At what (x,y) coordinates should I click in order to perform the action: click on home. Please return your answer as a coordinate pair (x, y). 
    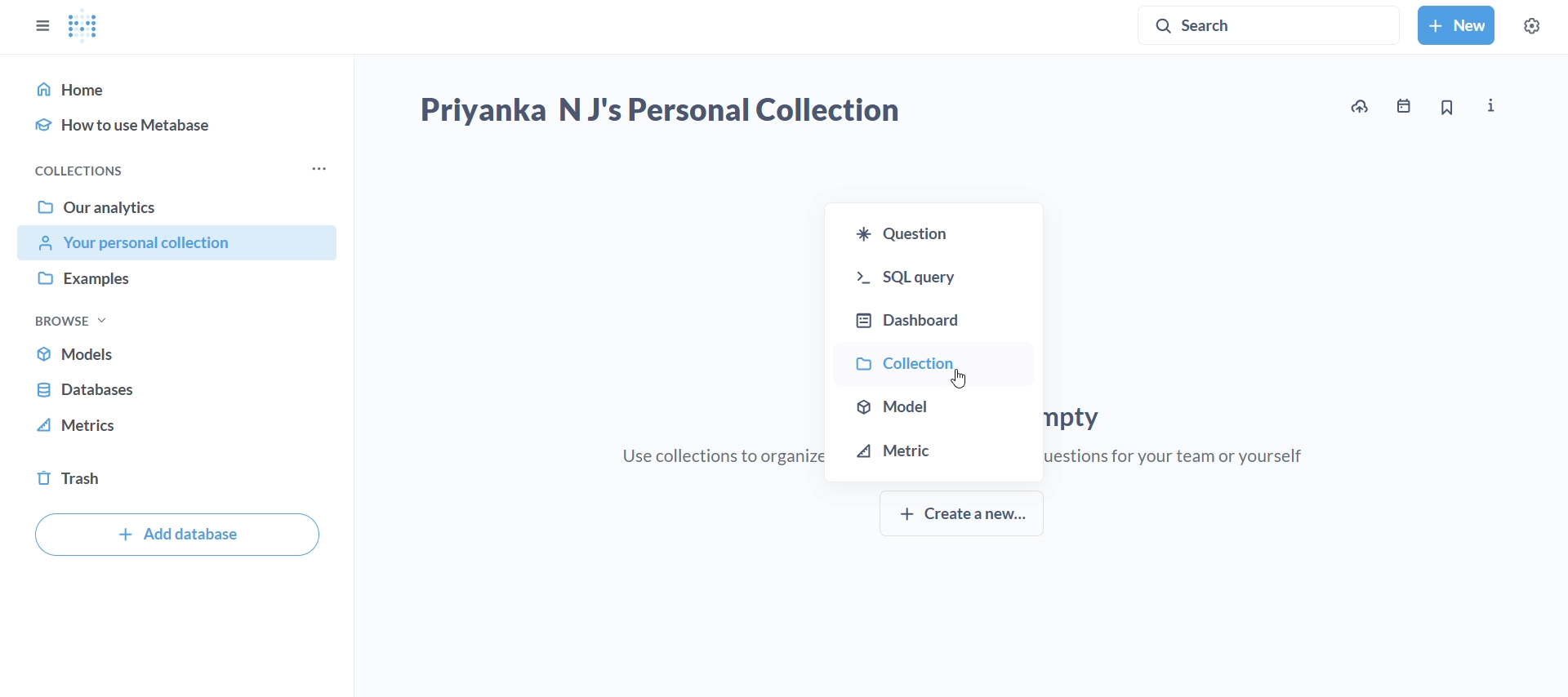
    Looking at the image, I should click on (176, 88).